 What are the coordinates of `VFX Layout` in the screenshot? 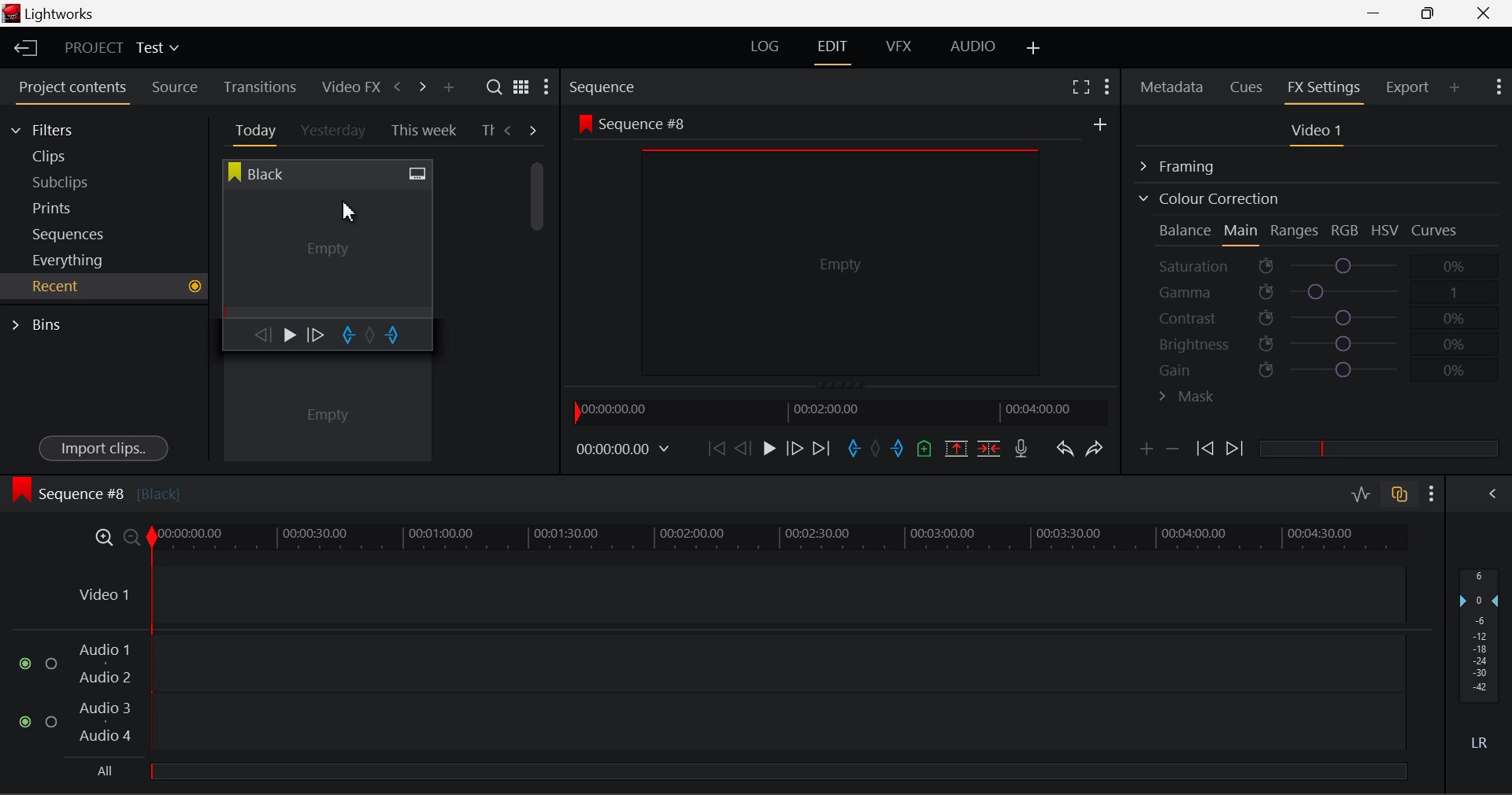 It's located at (902, 48).